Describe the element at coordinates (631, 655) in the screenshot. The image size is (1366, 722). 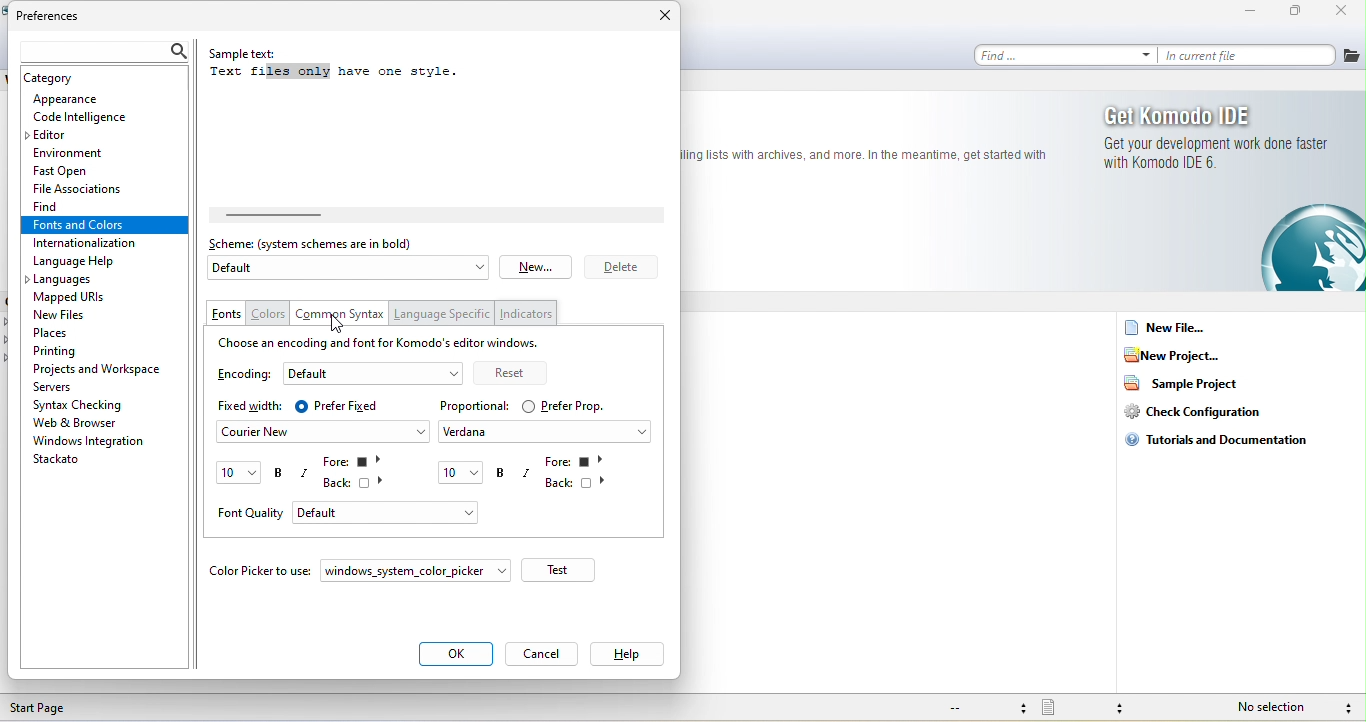
I see `help` at that location.